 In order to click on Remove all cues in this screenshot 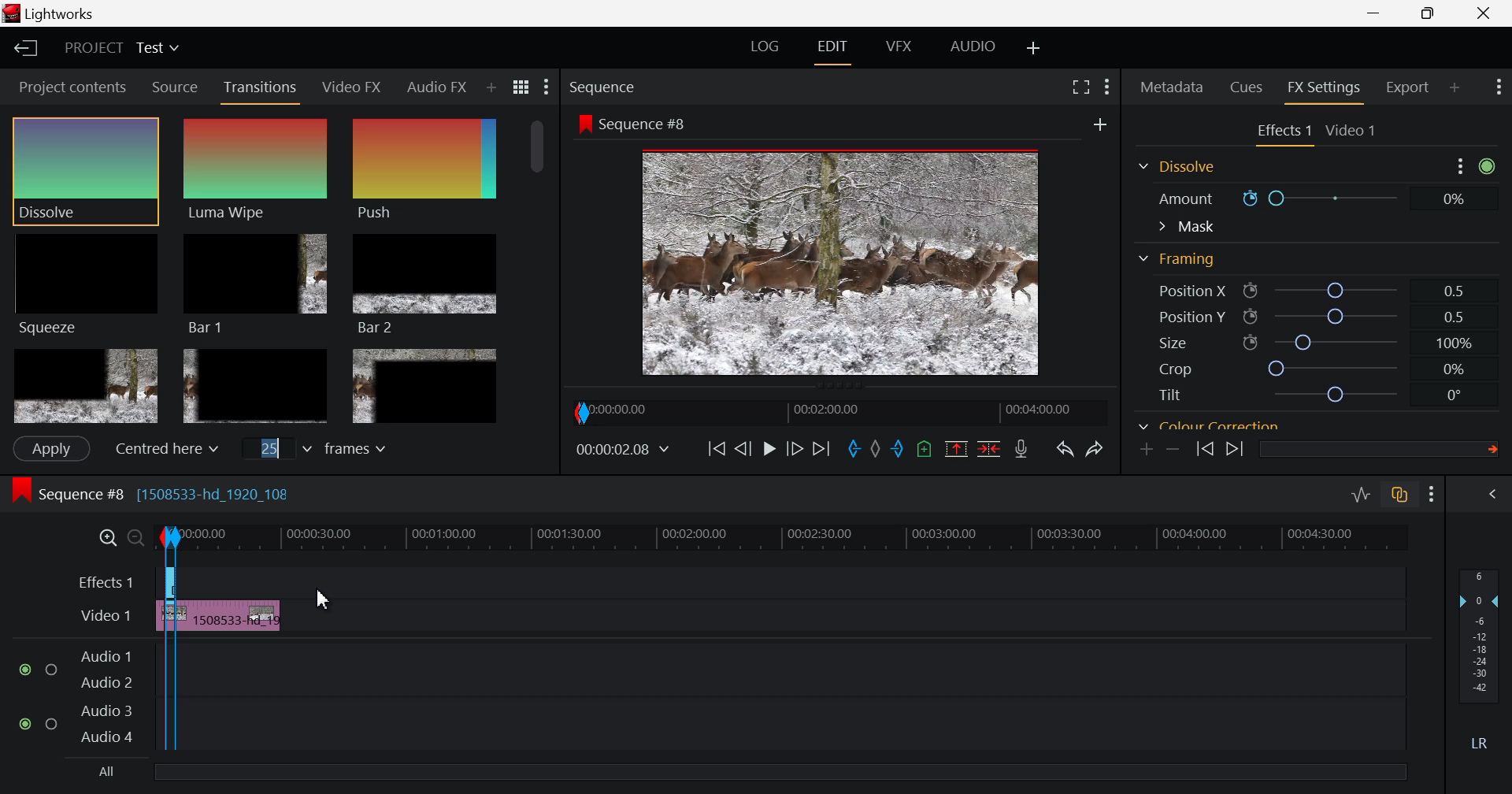, I will do `click(922, 448)`.